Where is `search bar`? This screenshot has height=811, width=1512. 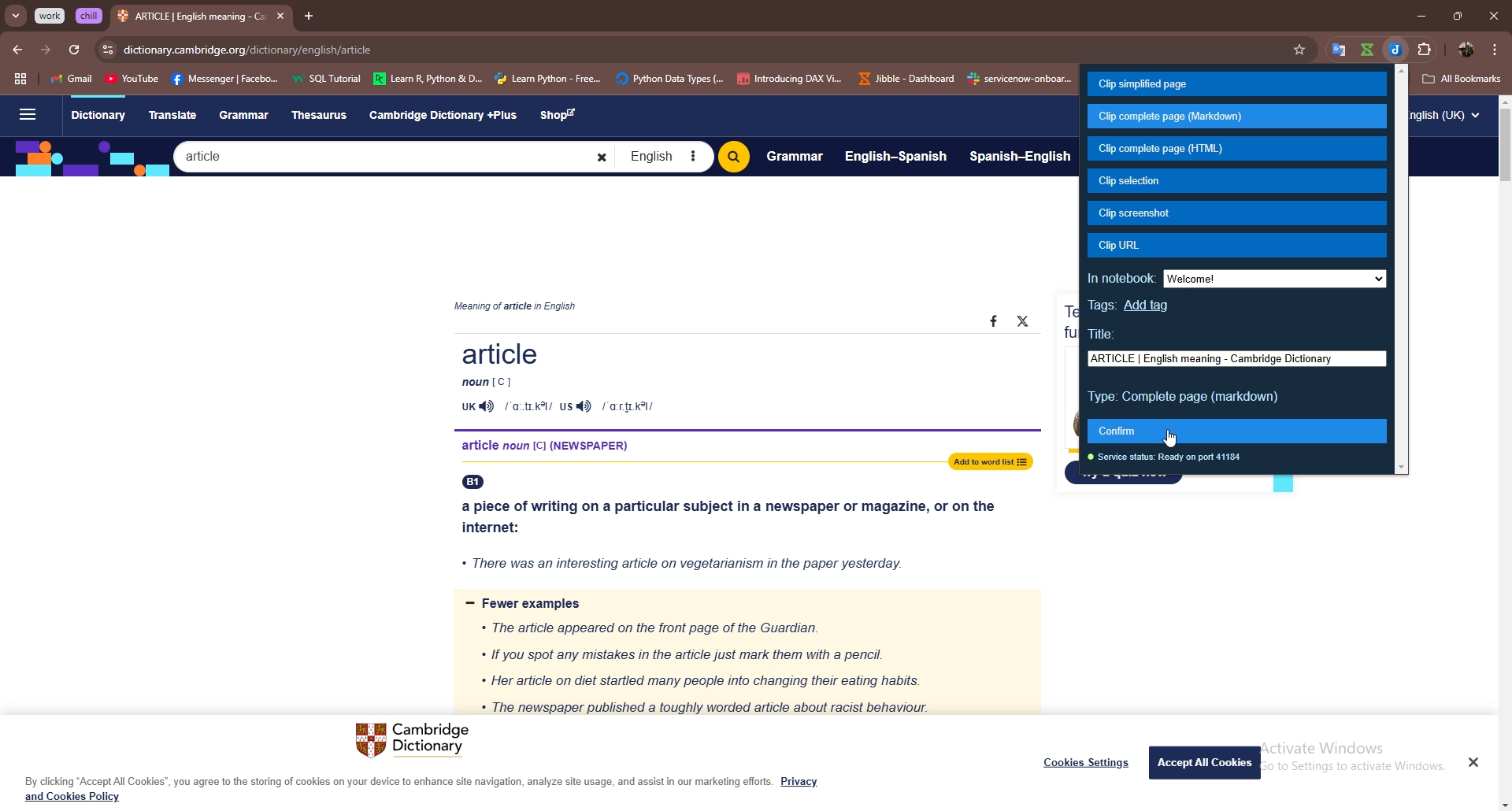
search bar is located at coordinates (720, 50).